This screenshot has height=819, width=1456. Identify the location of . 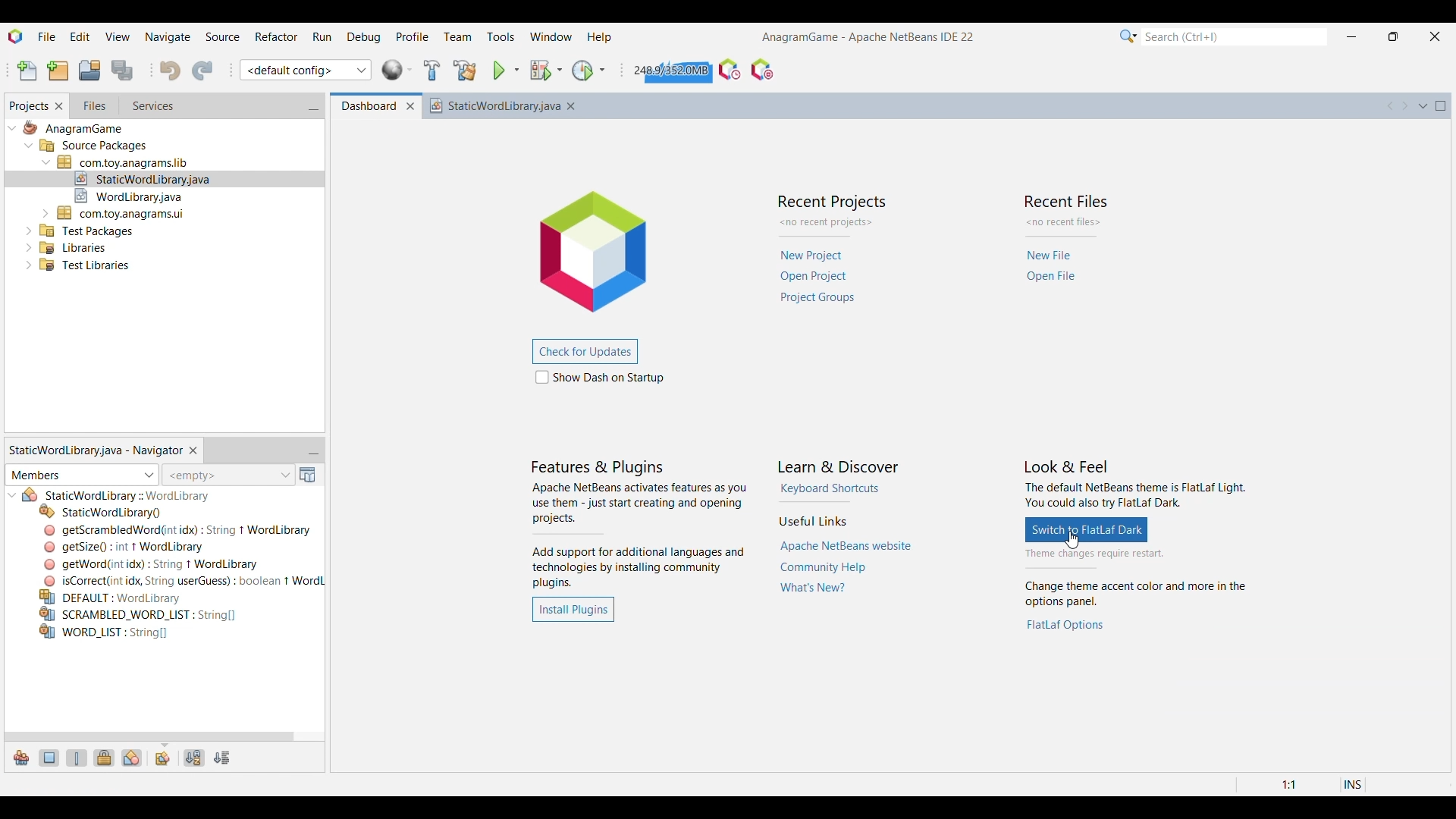
(135, 194).